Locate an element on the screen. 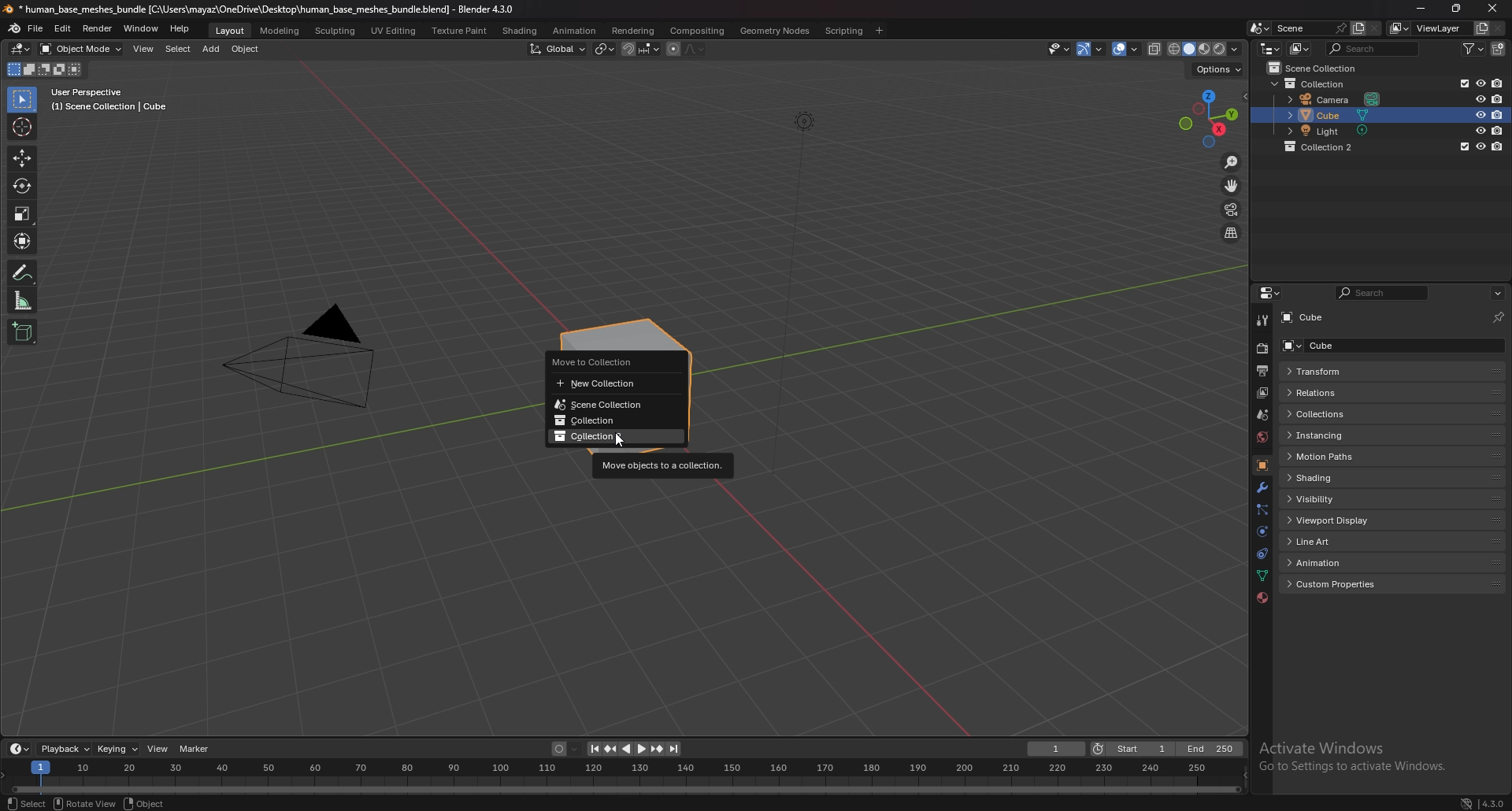 The width and height of the screenshot is (1512, 811). proportional editing objects is located at coordinates (687, 50).